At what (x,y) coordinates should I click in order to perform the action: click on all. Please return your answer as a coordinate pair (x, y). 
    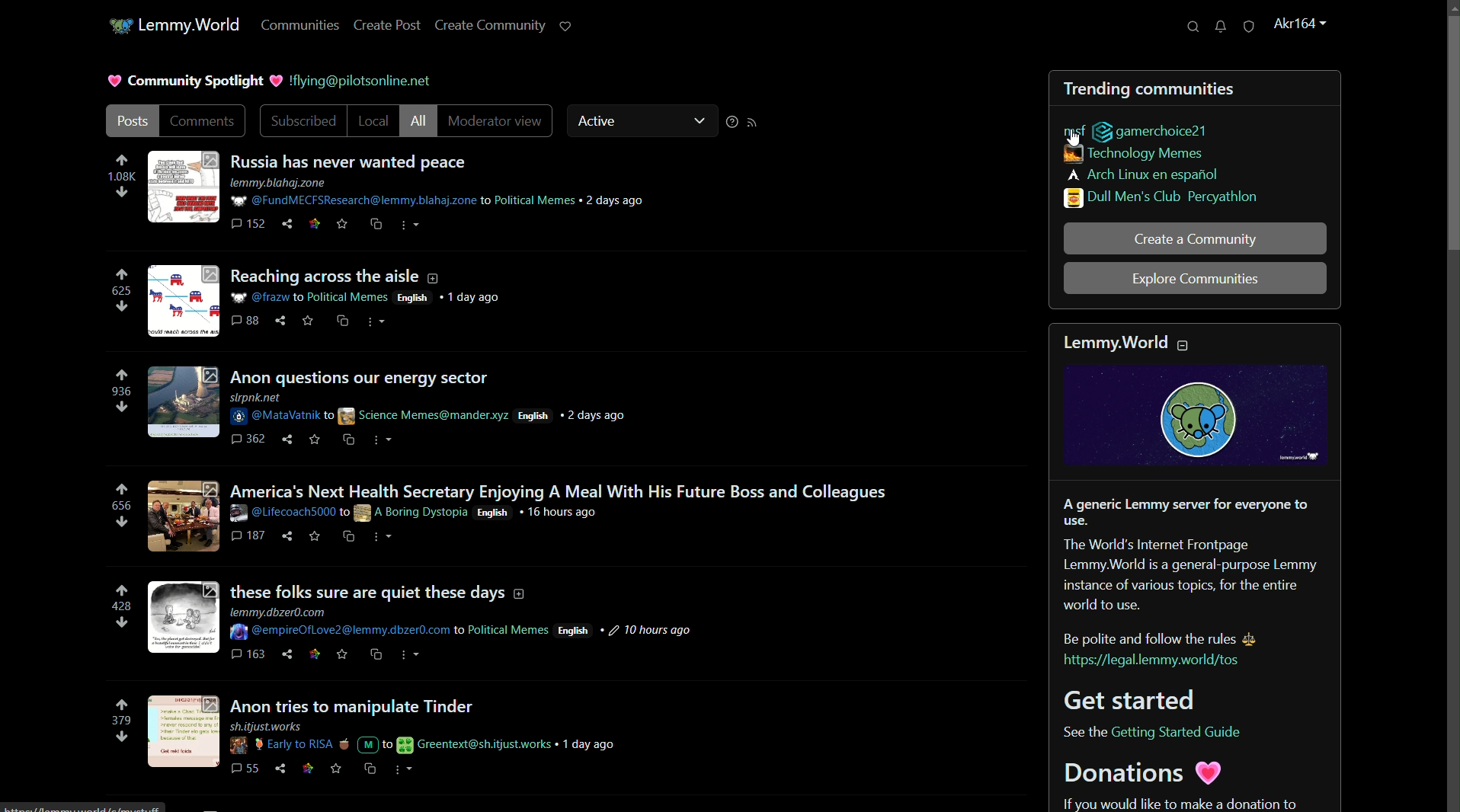
    Looking at the image, I should click on (423, 121).